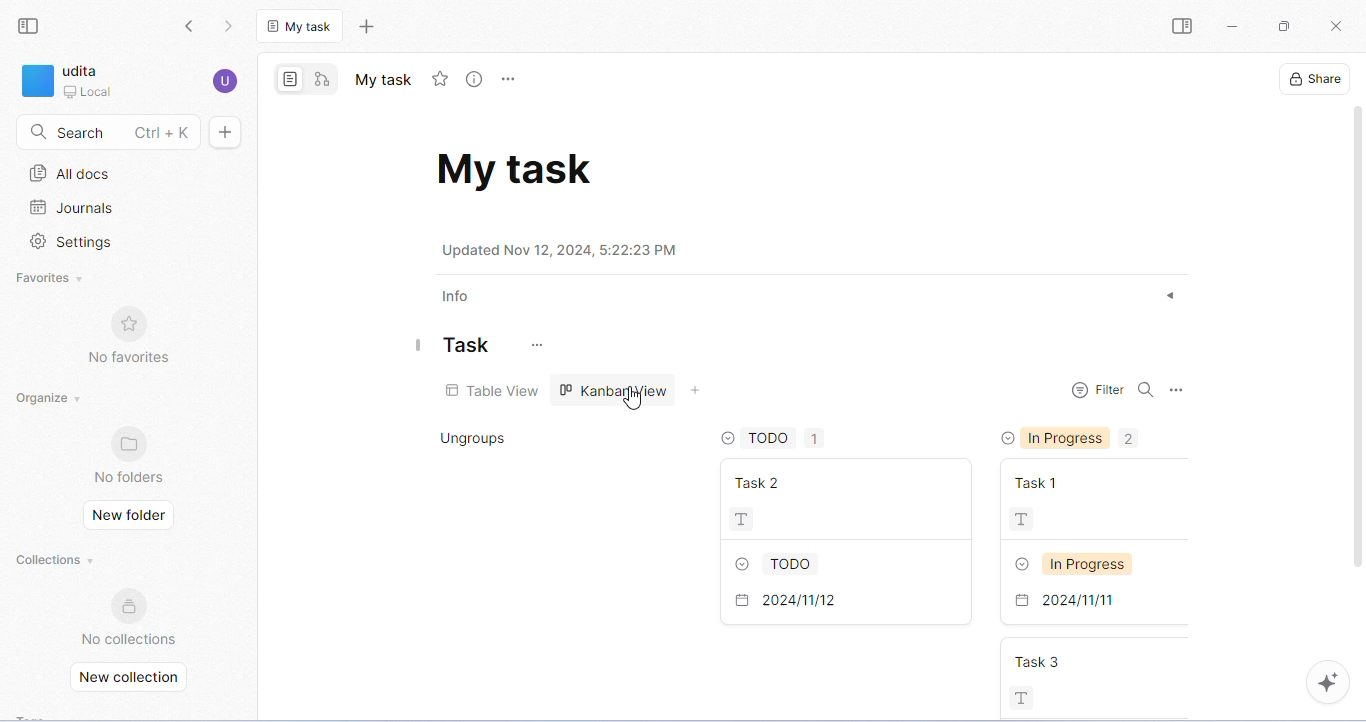  Describe the element at coordinates (226, 80) in the screenshot. I see `account` at that location.